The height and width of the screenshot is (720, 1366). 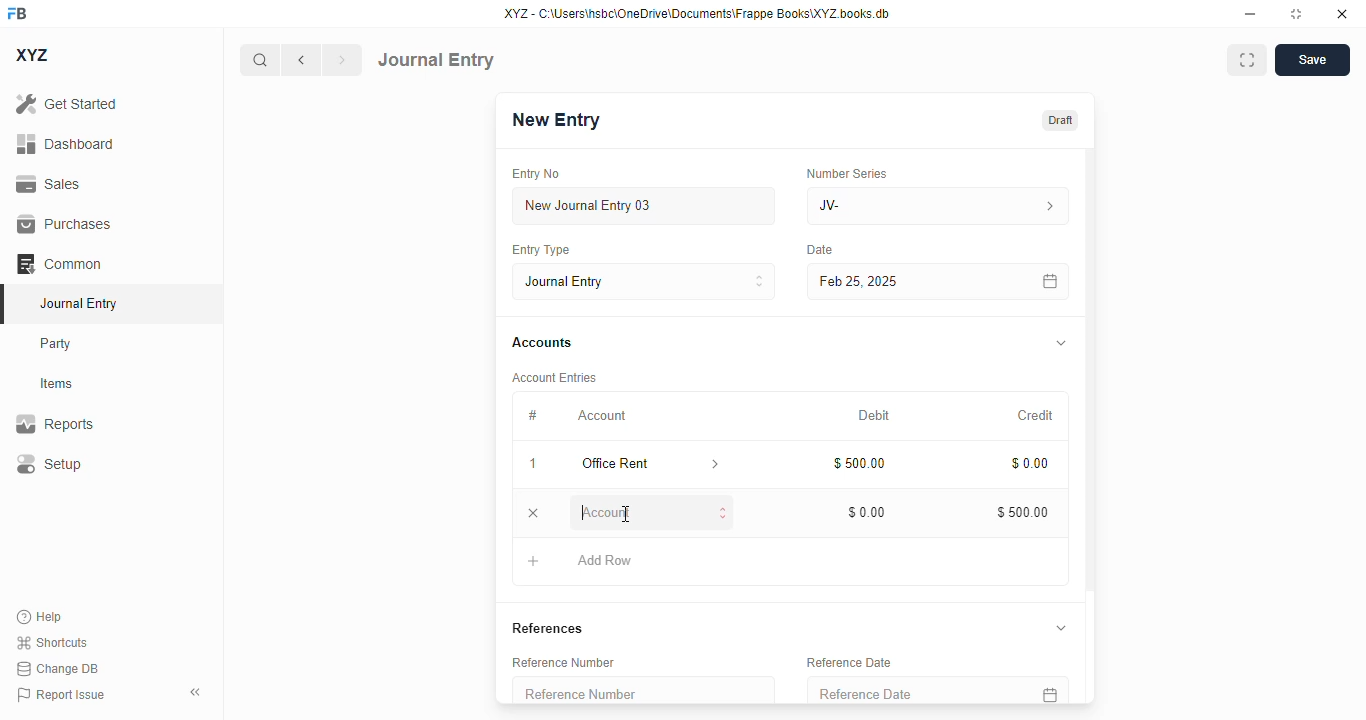 I want to click on toggle expand/collapse, so click(x=1060, y=627).